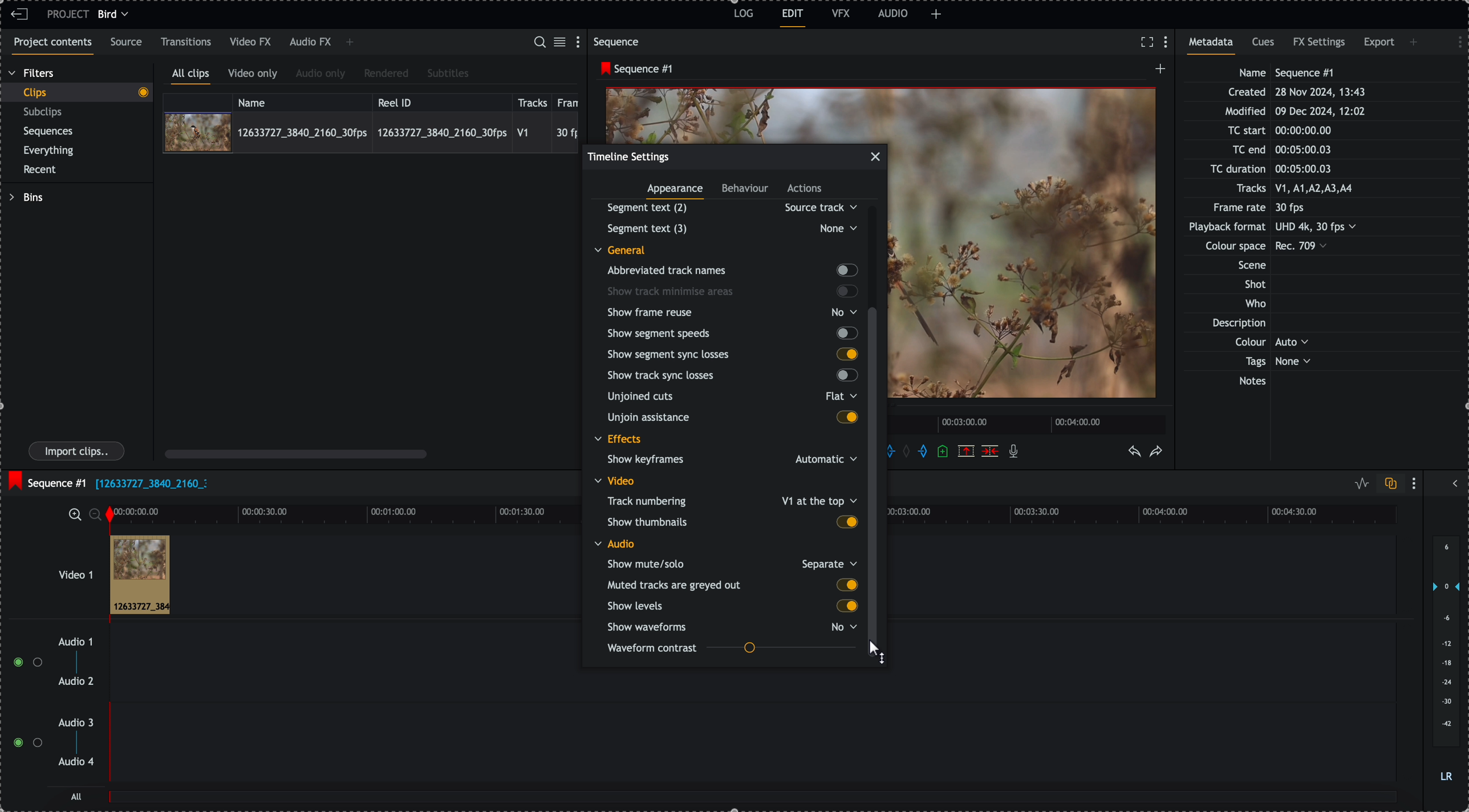  What do you see at coordinates (793, 18) in the screenshot?
I see `edit` at bounding box center [793, 18].